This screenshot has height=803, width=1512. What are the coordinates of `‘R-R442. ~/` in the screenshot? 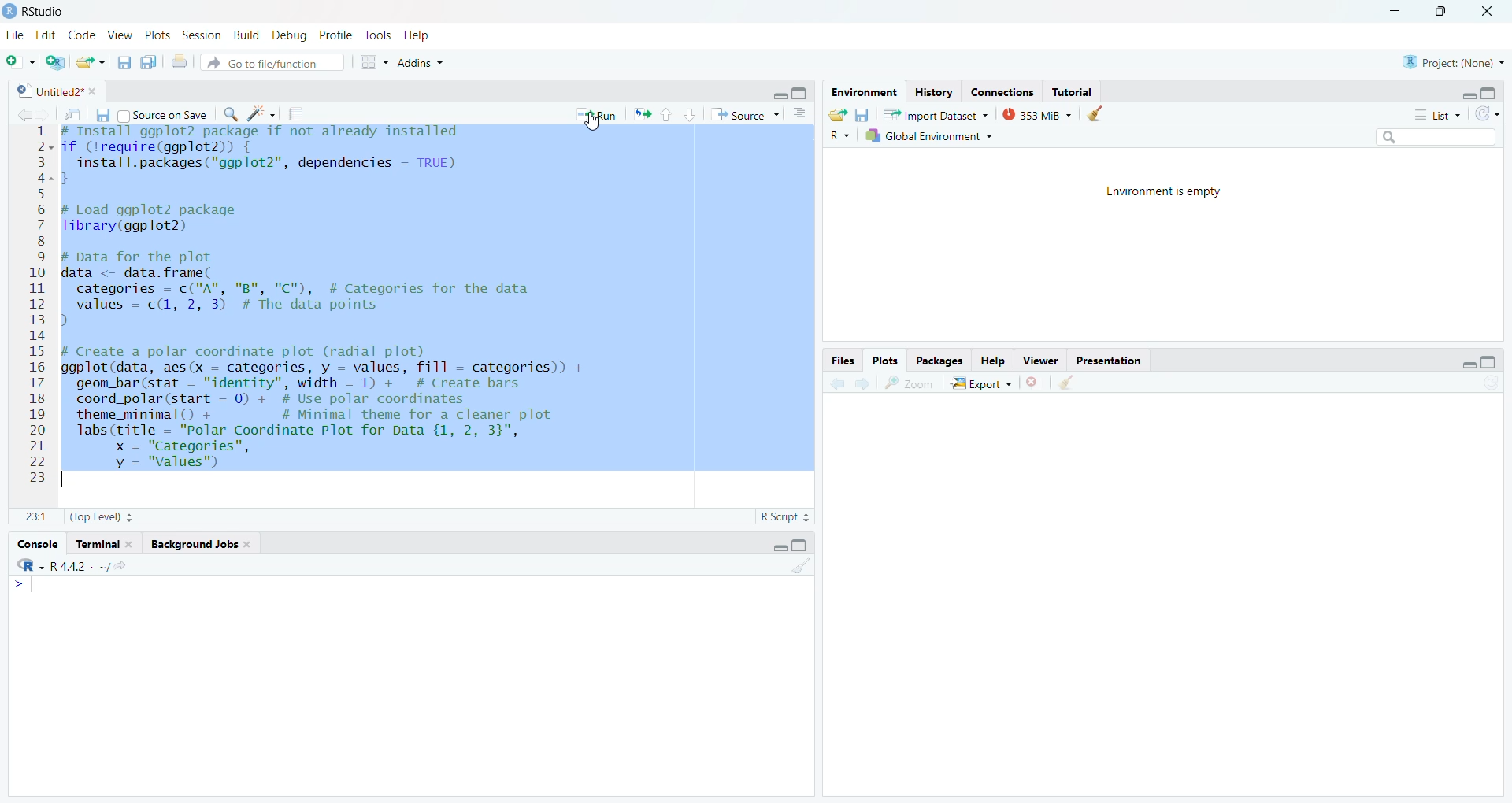 It's located at (76, 568).